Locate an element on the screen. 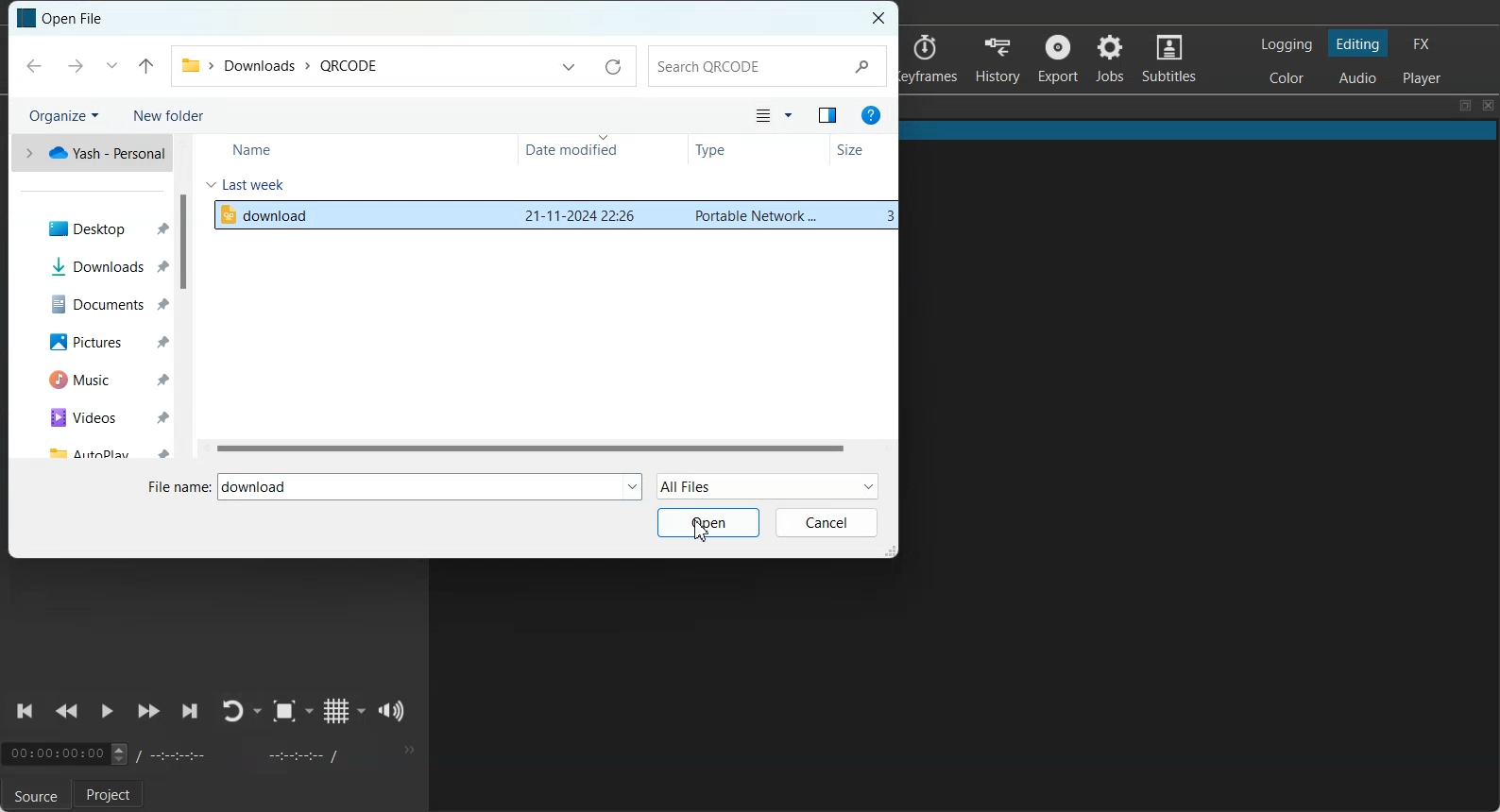 Image resolution: width=1500 pixels, height=812 pixels. Toggle Zoom is located at coordinates (284, 711).